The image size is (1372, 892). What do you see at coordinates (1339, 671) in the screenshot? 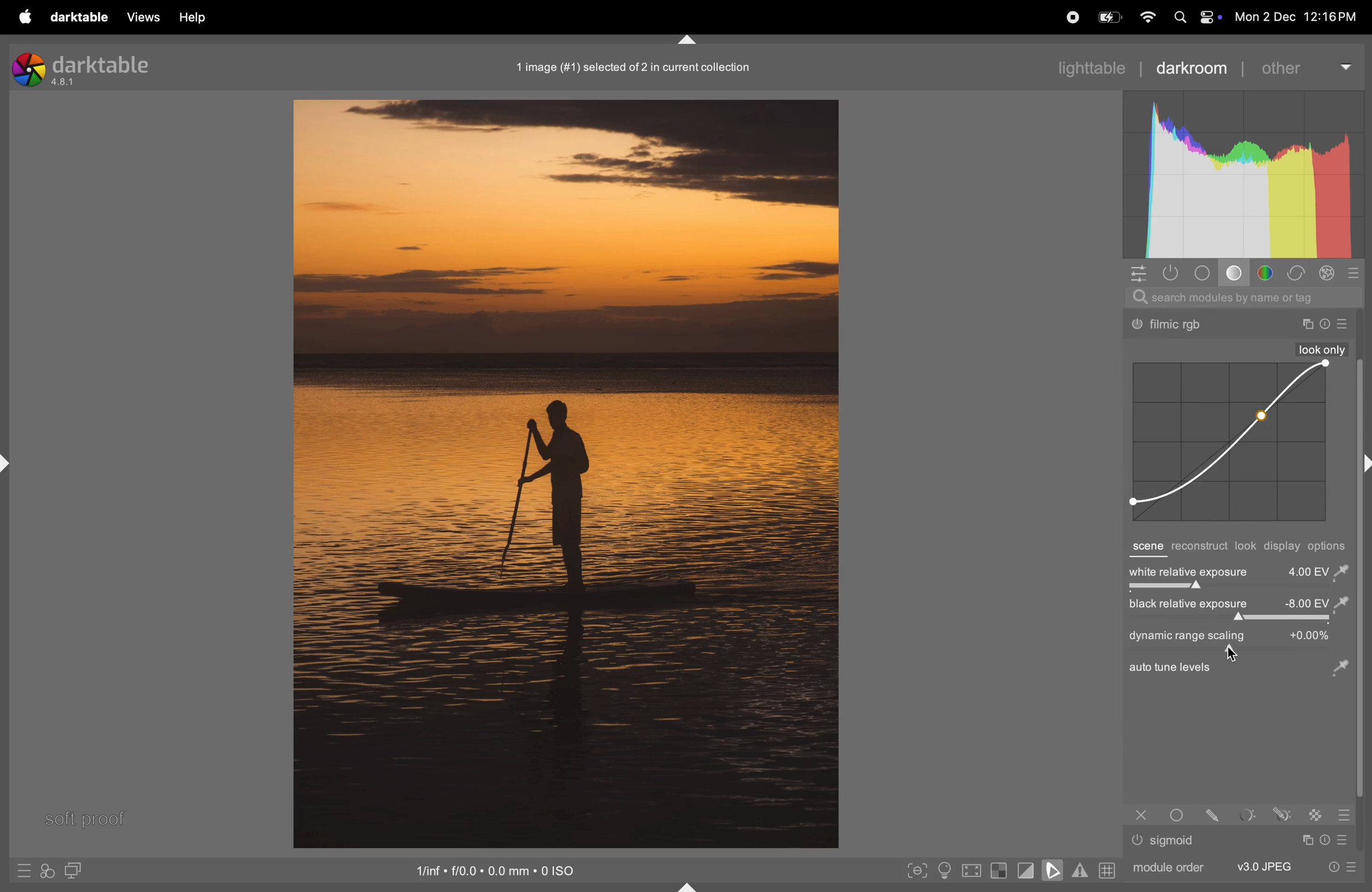
I see `` at bounding box center [1339, 671].